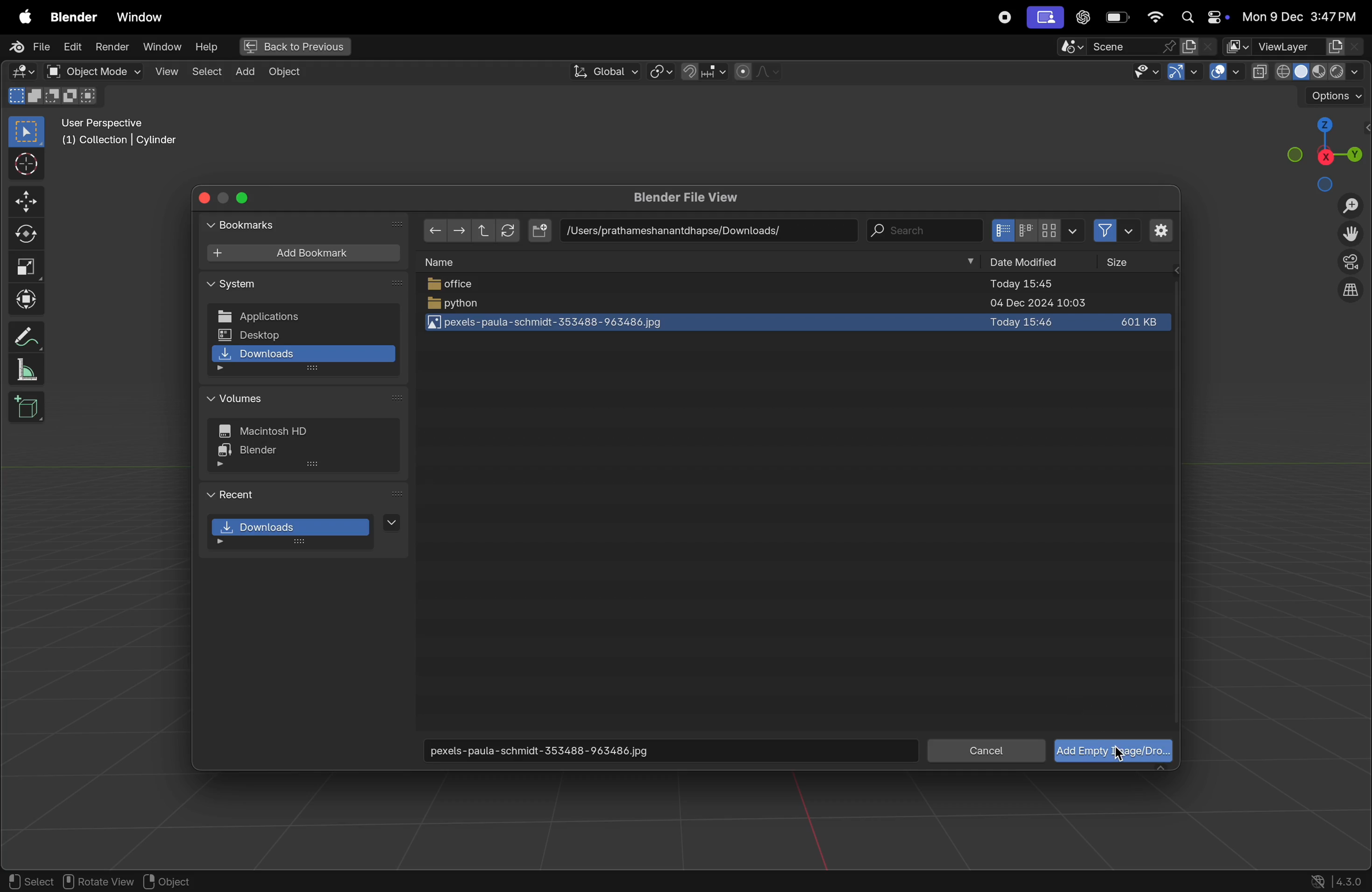  I want to click on cancel, so click(986, 751).